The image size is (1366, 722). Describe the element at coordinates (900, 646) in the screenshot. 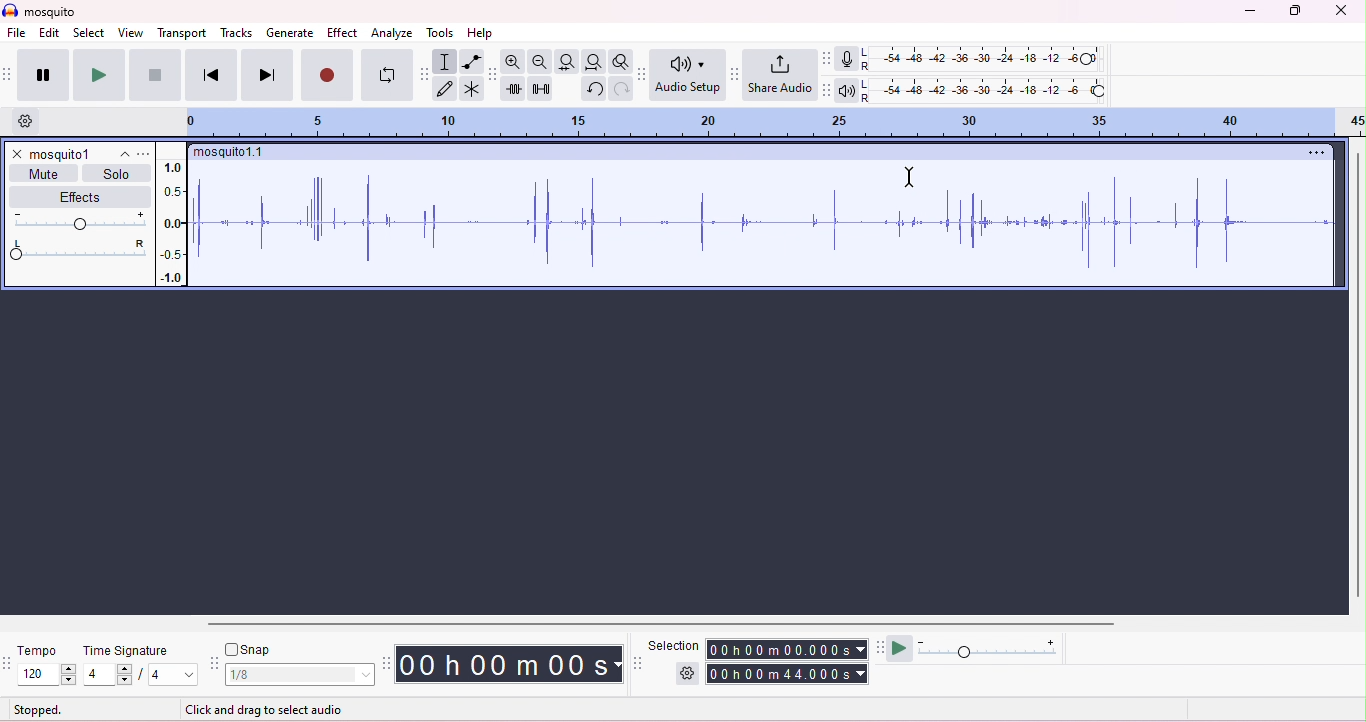

I see `play at speed/play at speed once` at that location.